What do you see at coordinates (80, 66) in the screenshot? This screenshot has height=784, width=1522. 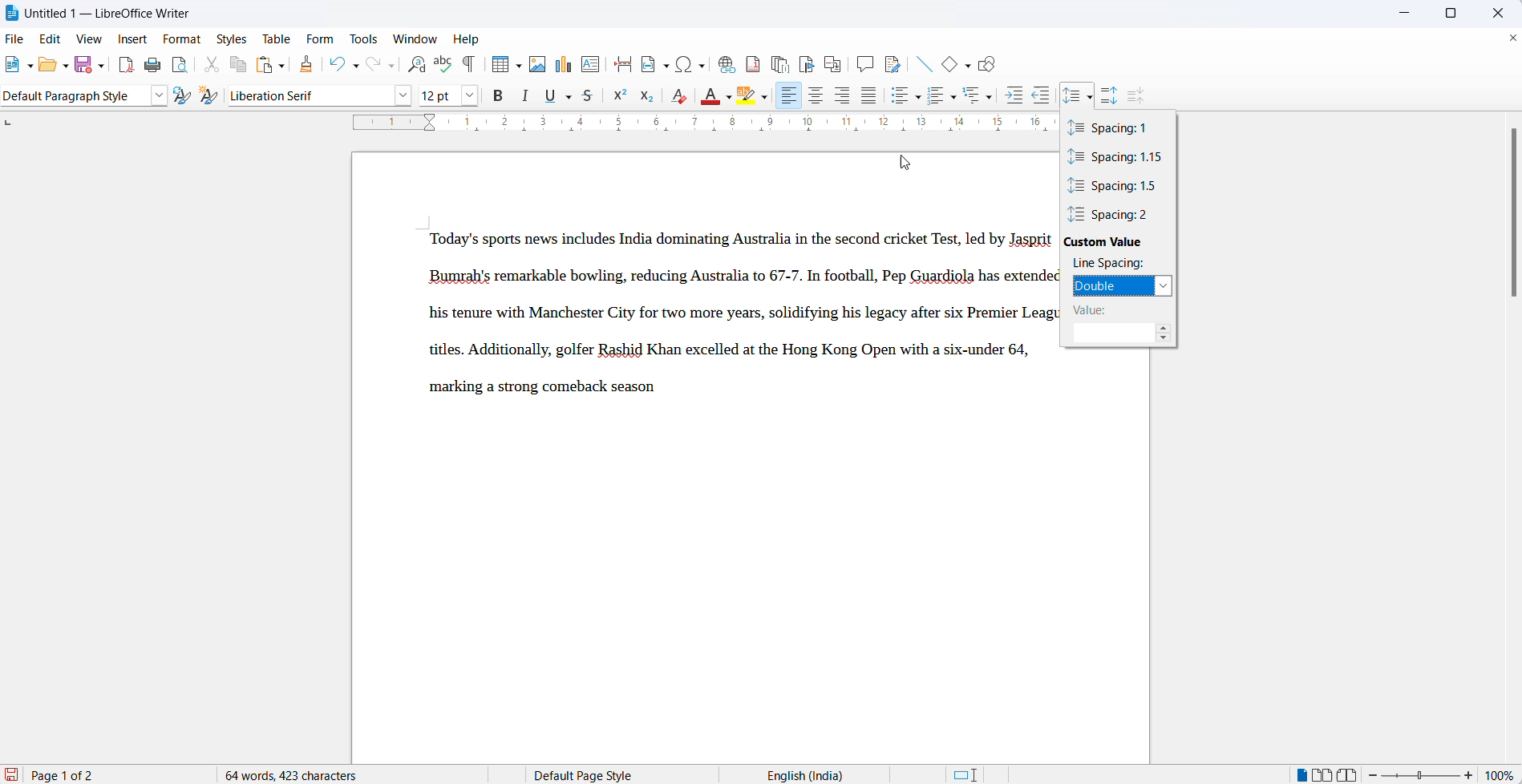 I see `save` at bounding box center [80, 66].